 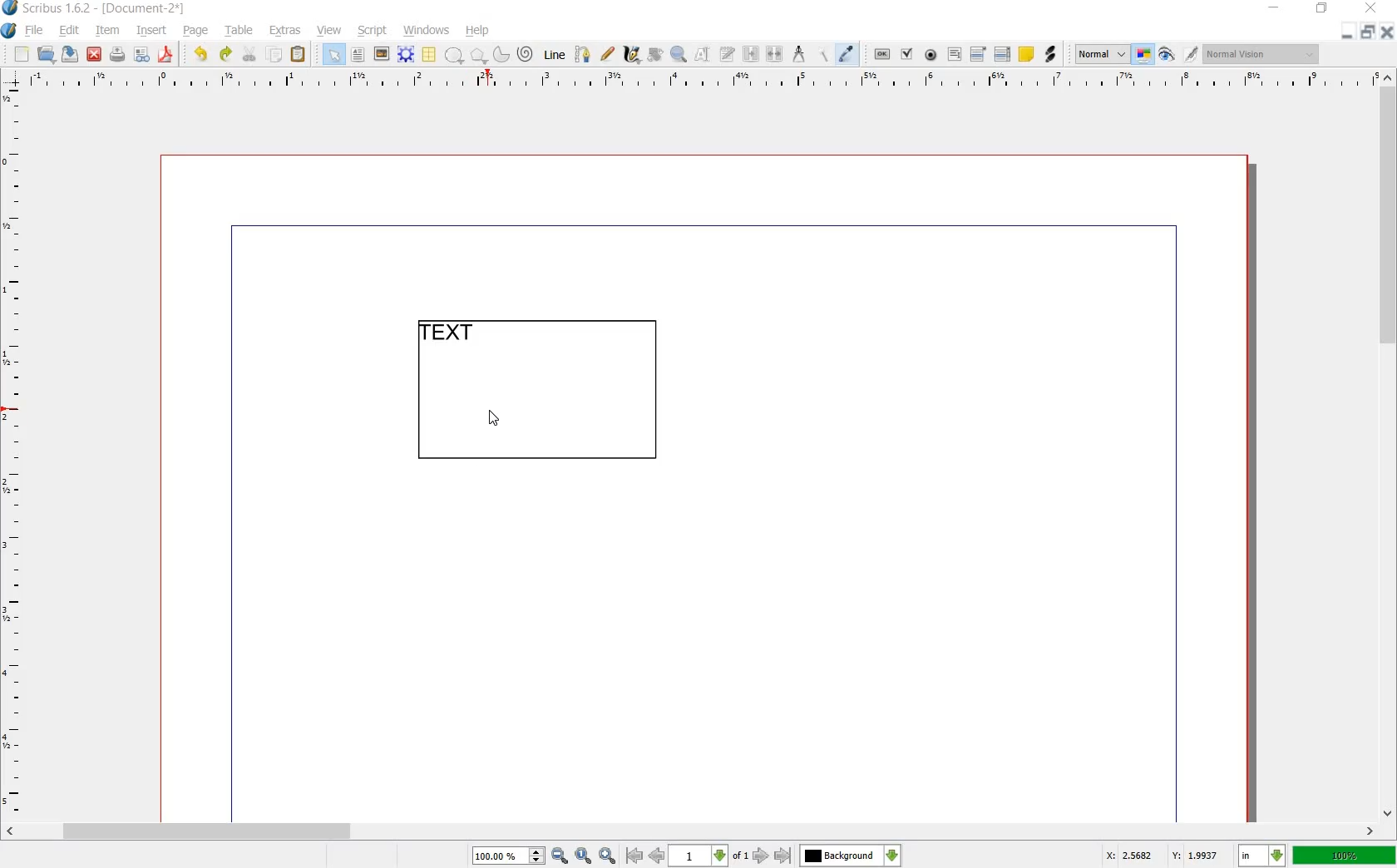 I want to click on redo, so click(x=225, y=55).